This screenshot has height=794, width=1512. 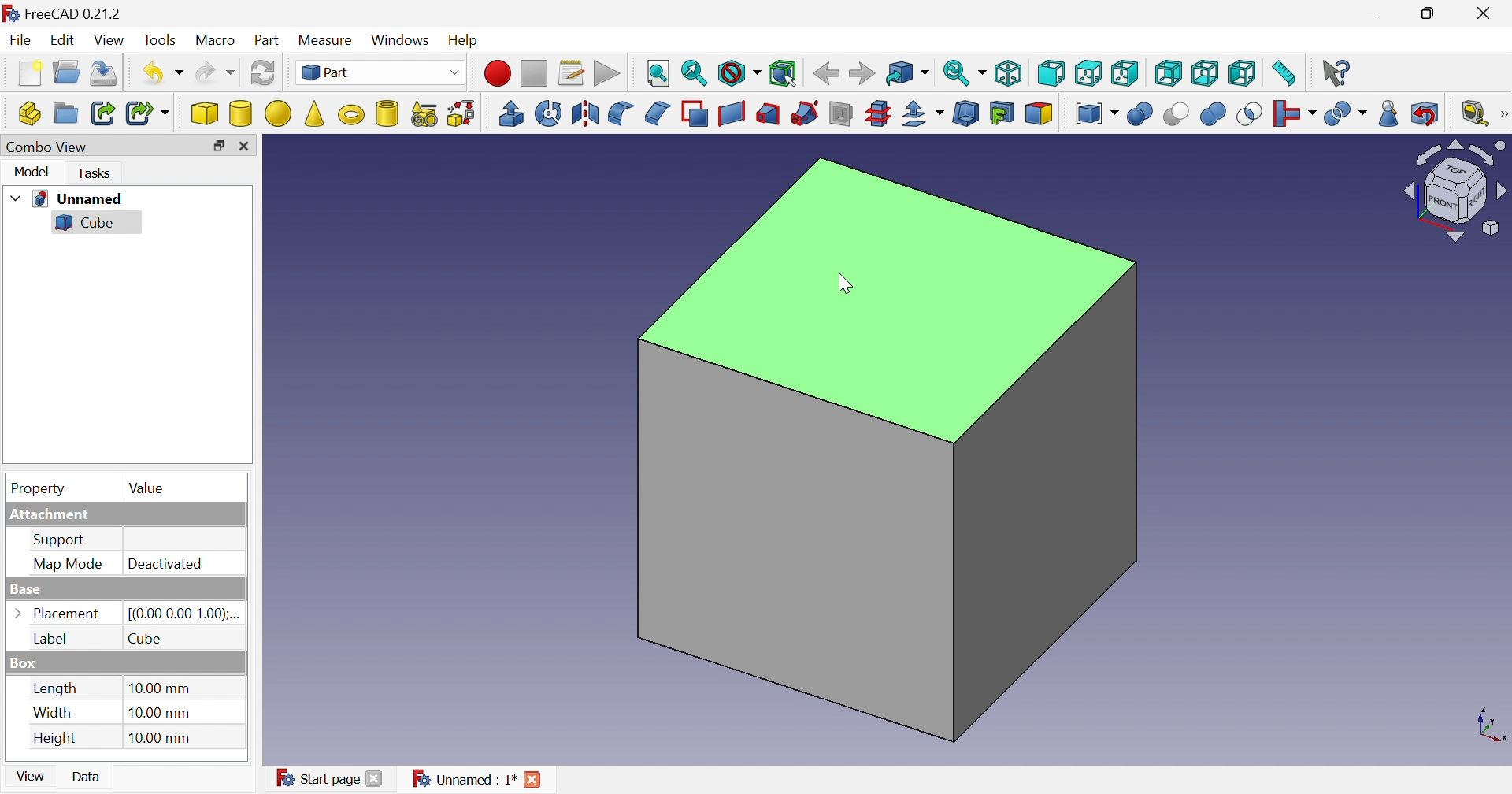 I want to click on Create ruled surface, so click(x=732, y=114).